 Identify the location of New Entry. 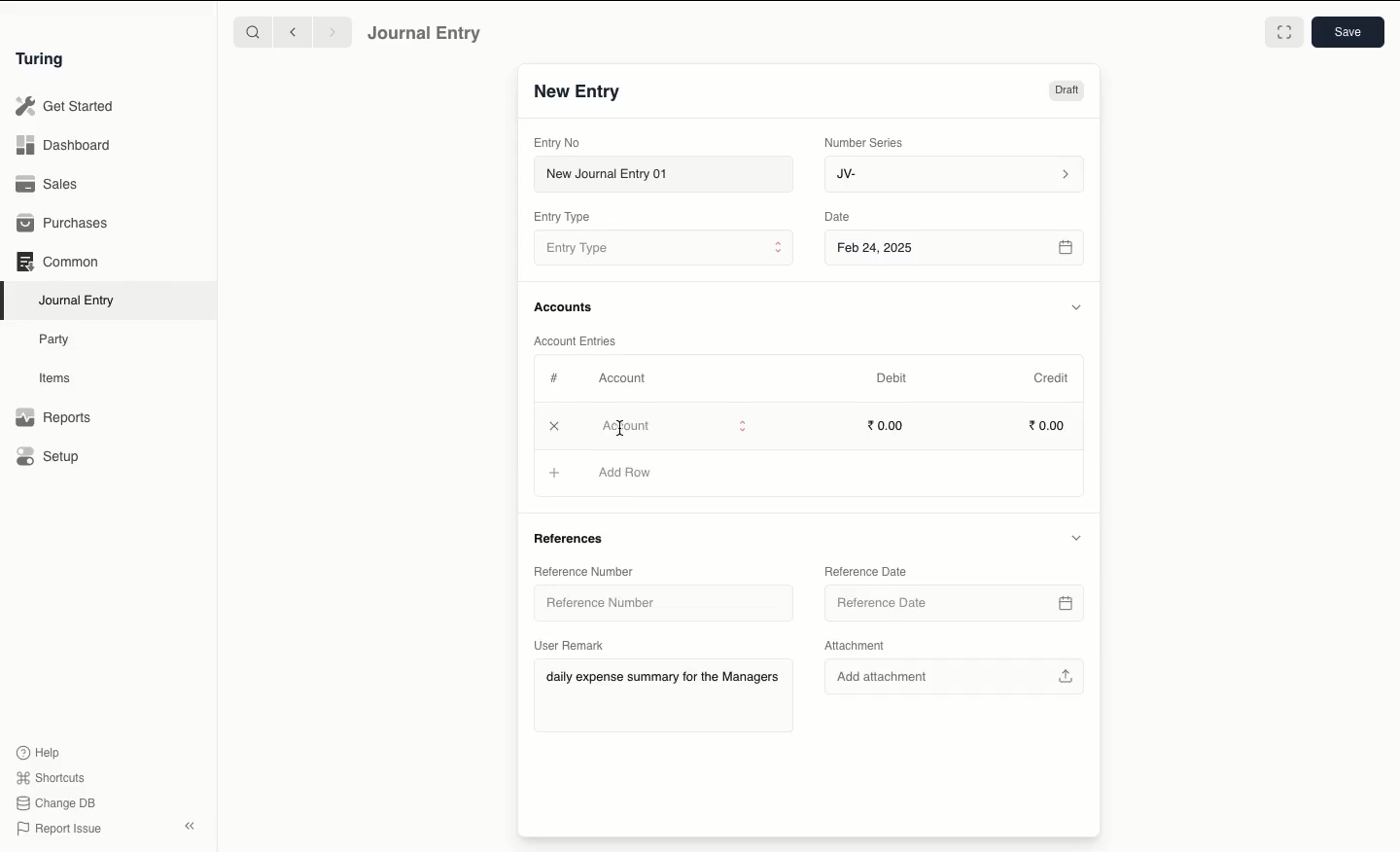
(578, 92).